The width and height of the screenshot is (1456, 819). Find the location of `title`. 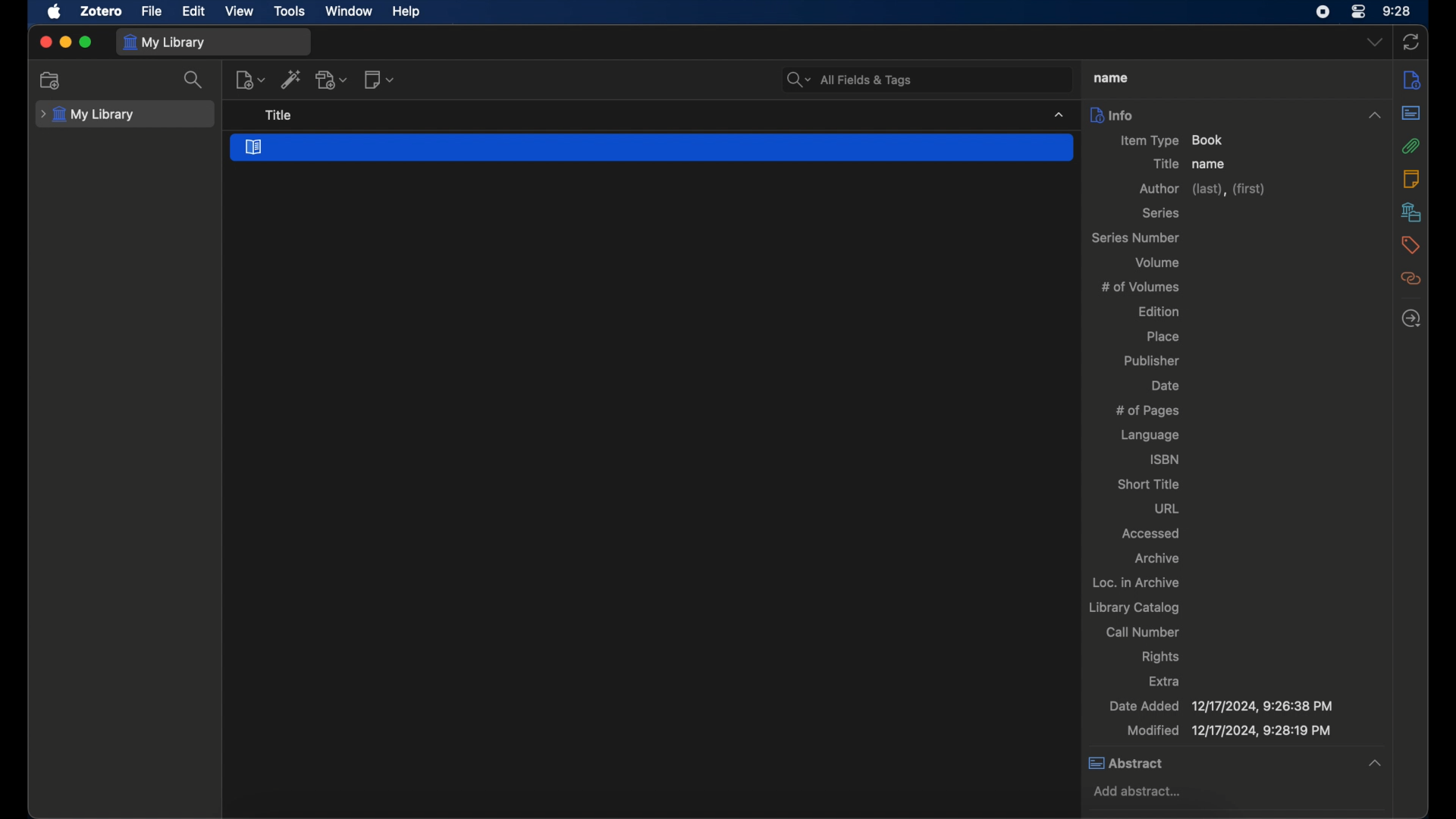

title is located at coordinates (1109, 77).